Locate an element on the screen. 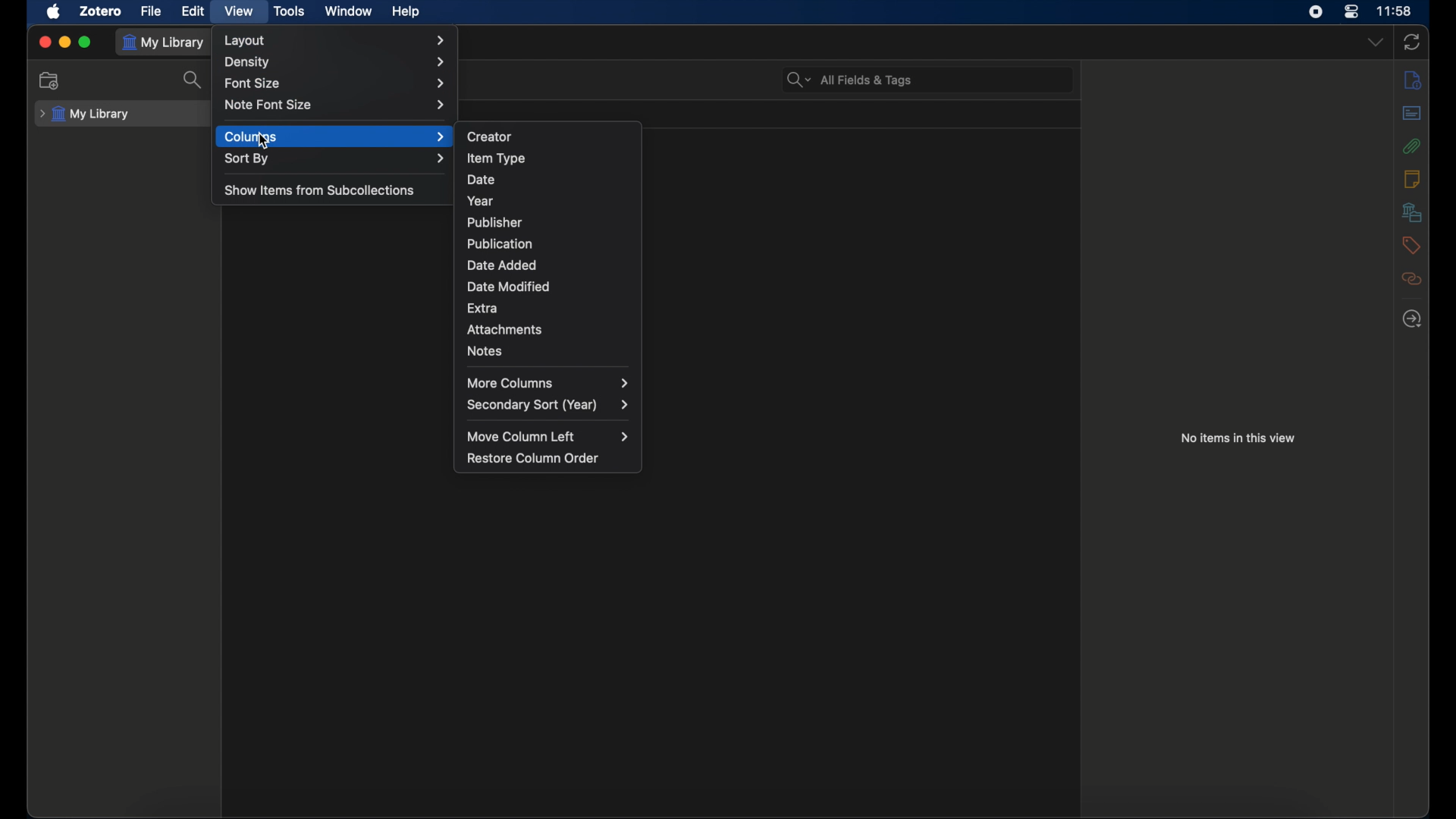 The image size is (1456, 819). file is located at coordinates (151, 11).